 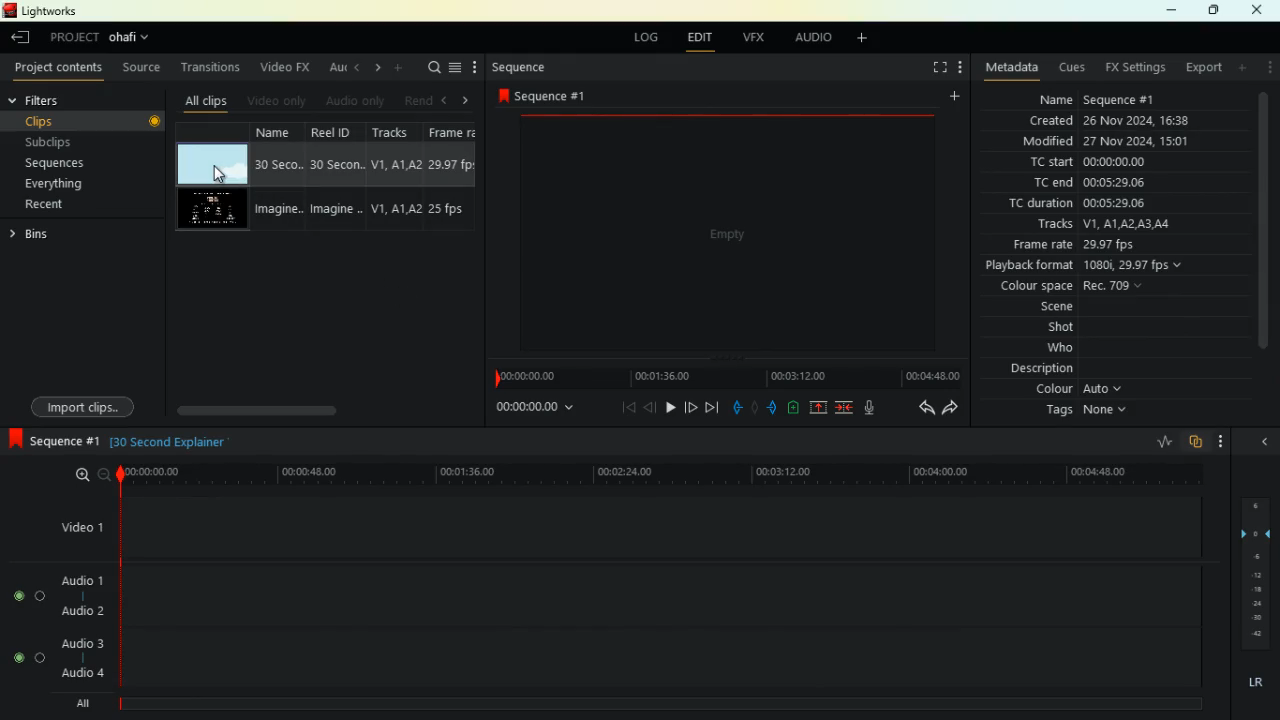 I want to click on filters, so click(x=53, y=102).